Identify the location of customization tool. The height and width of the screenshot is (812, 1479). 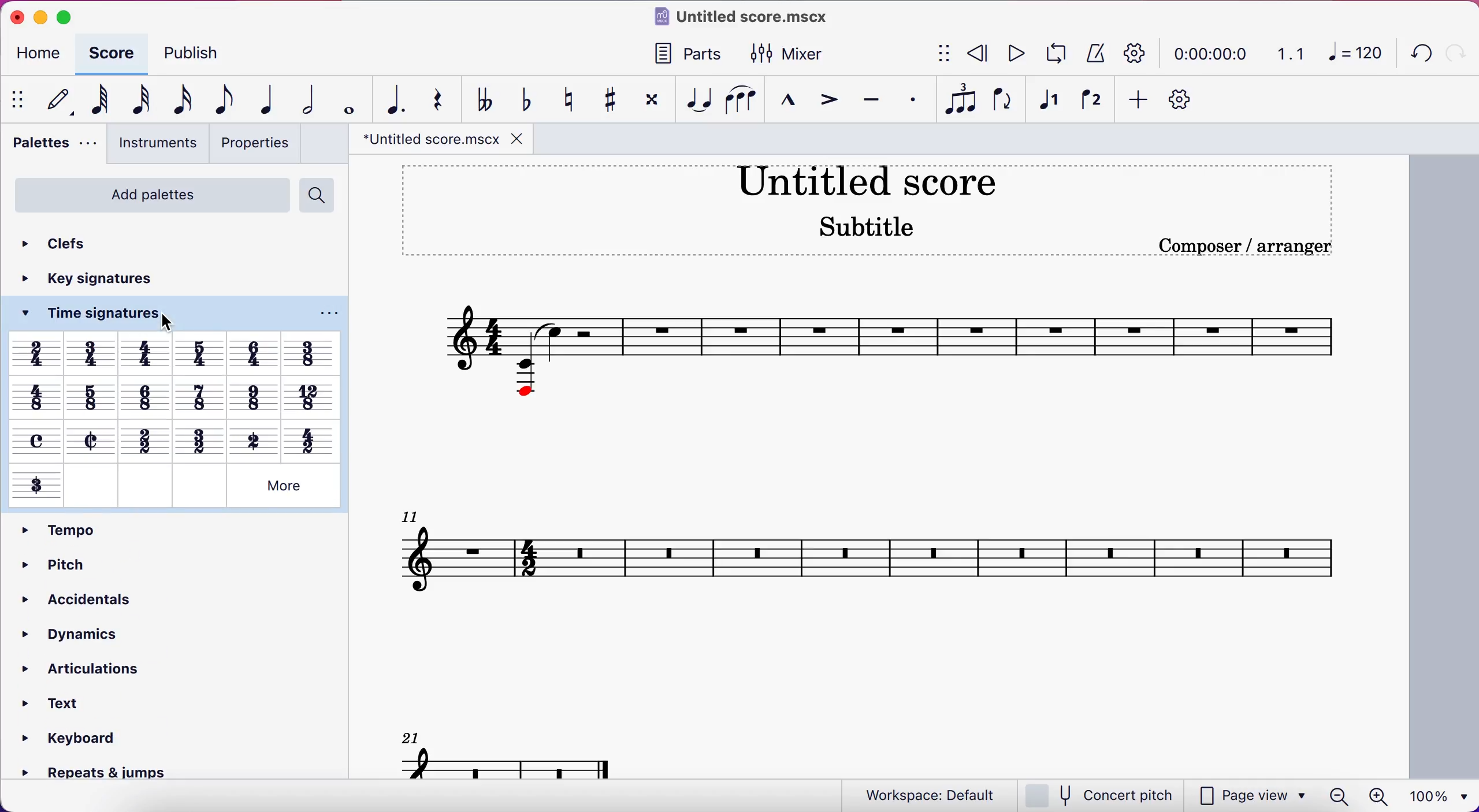
(1188, 100).